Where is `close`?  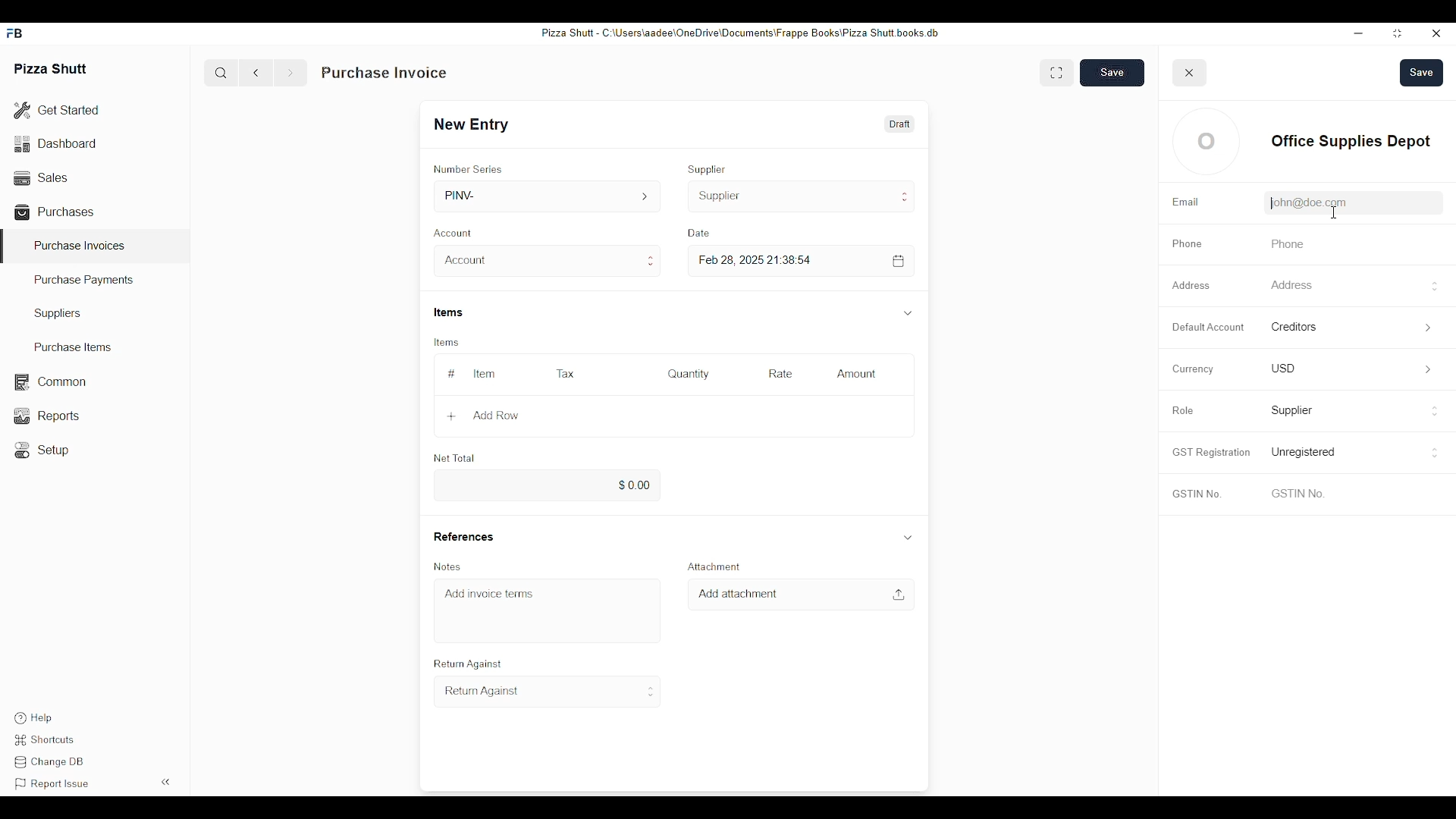
close is located at coordinates (1190, 73).